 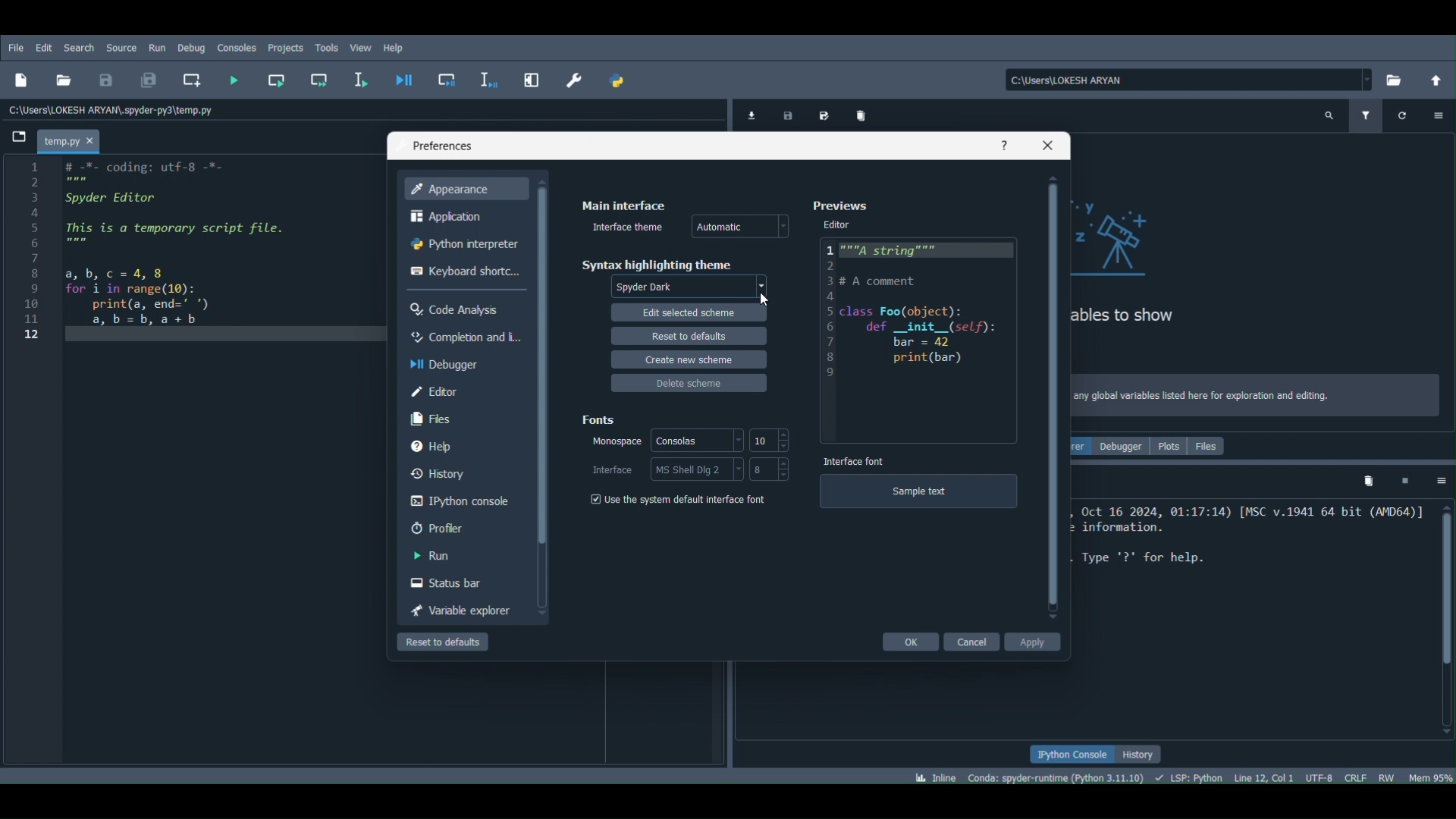 I want to click on Run current cell and go to the next one (Shift + Return), so click(x=320, y=80).